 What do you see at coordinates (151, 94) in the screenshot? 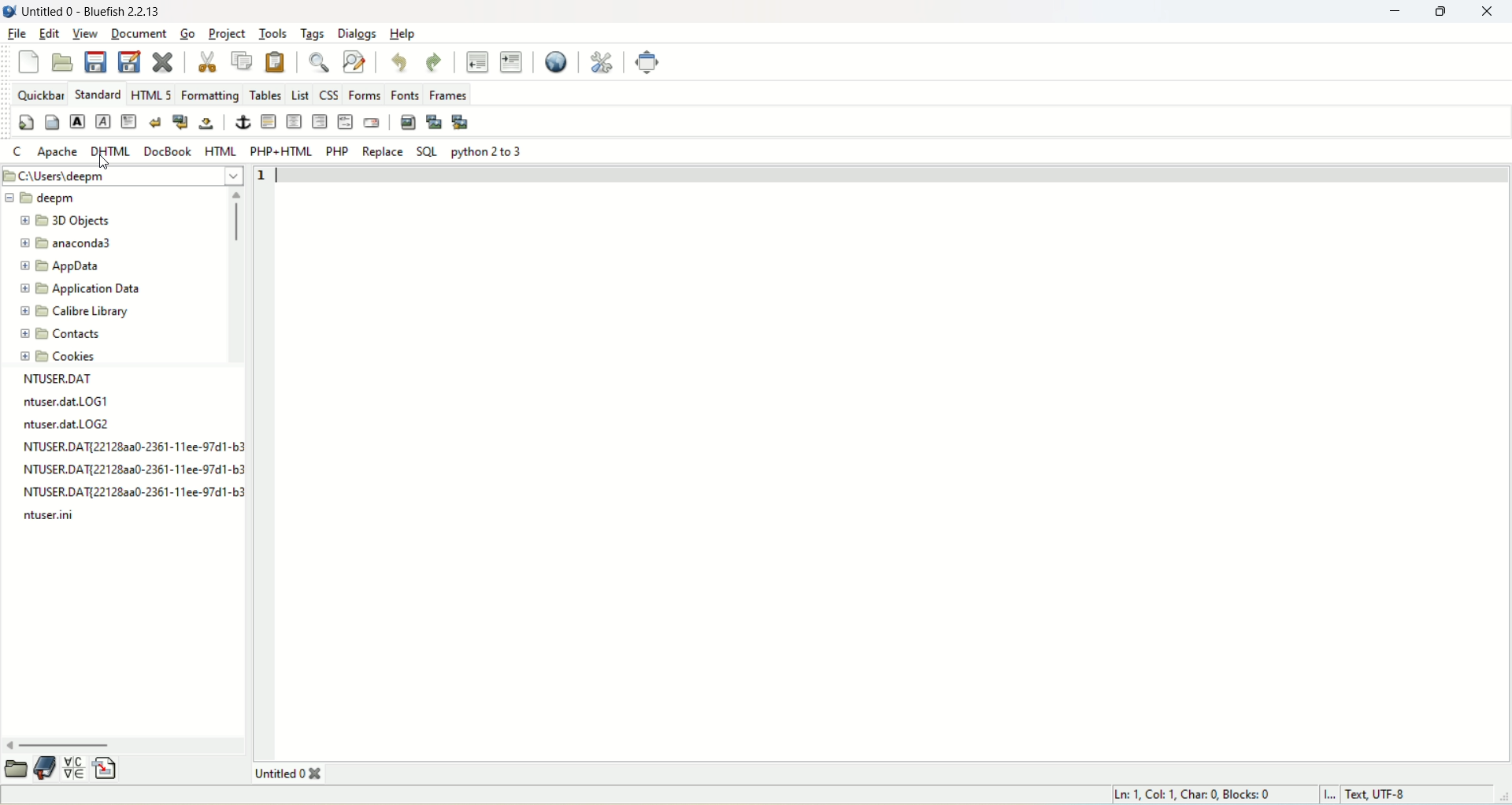
I see `HTML 5` at bounding box center [151, 94].